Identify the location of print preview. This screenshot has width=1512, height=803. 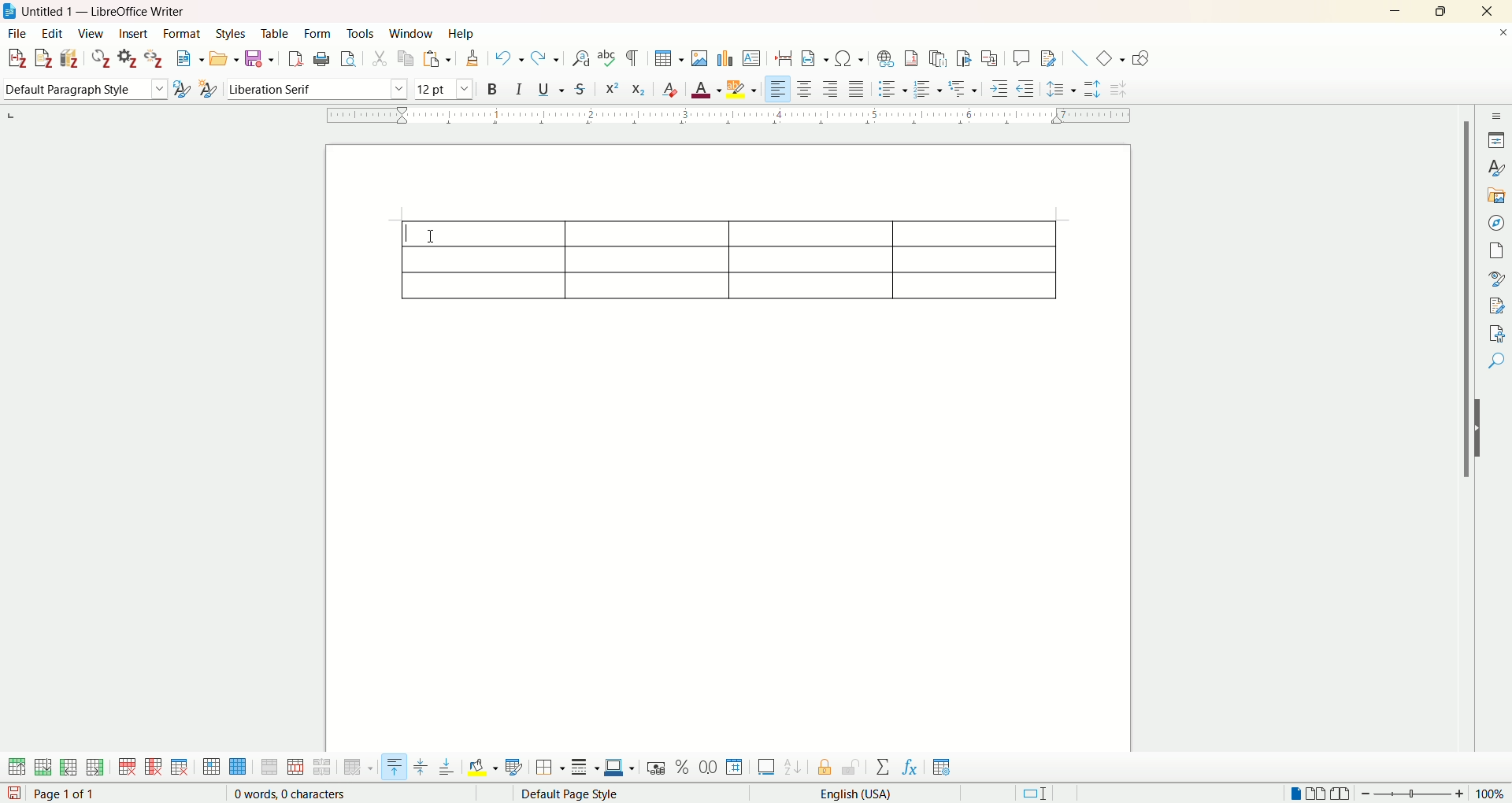
(346, 60).